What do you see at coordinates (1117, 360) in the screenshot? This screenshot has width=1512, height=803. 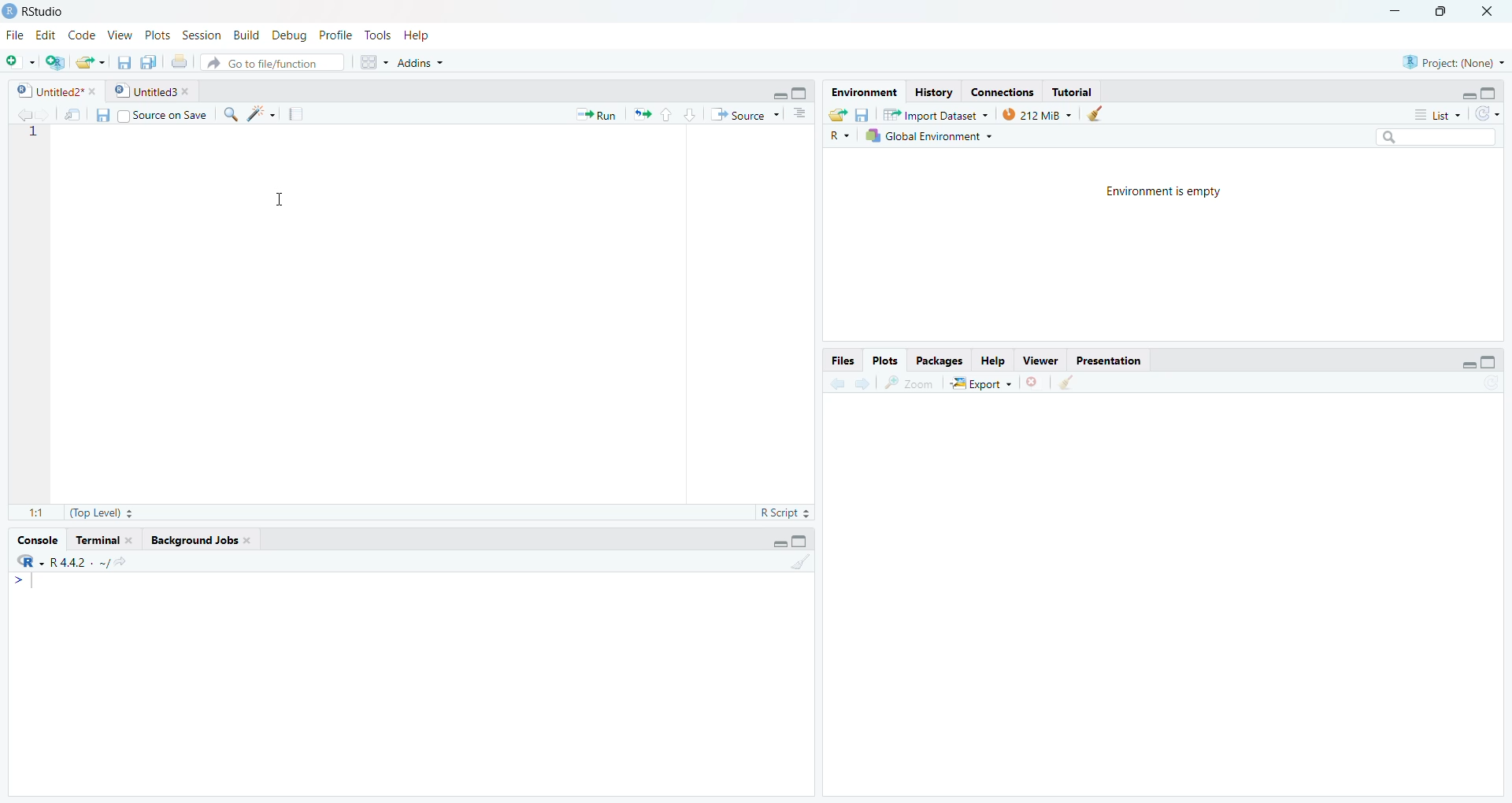 I see `presentation` at bounding box center [1117, 360].